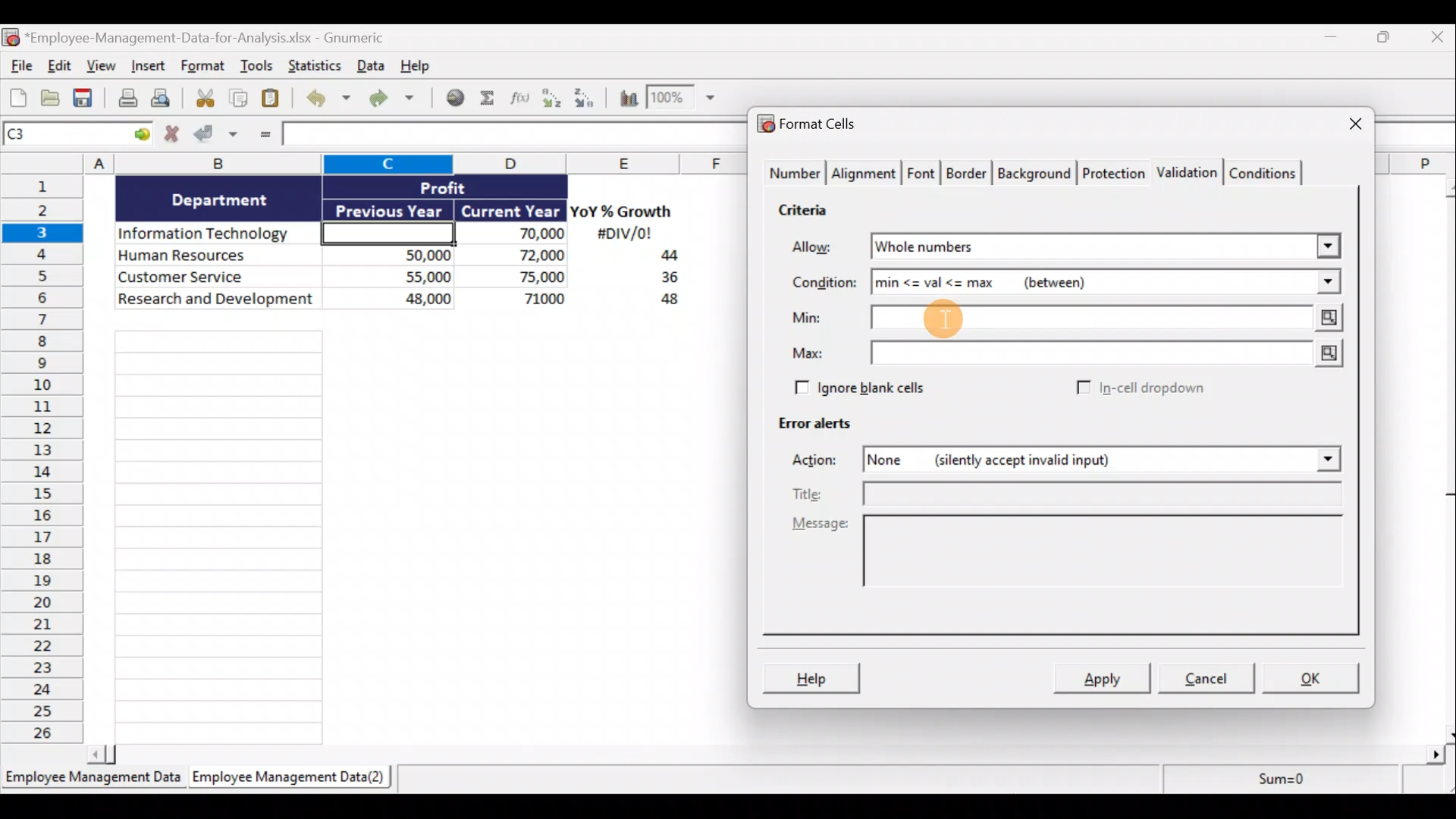  I want to click on Cancel changes, so click(172, 136).